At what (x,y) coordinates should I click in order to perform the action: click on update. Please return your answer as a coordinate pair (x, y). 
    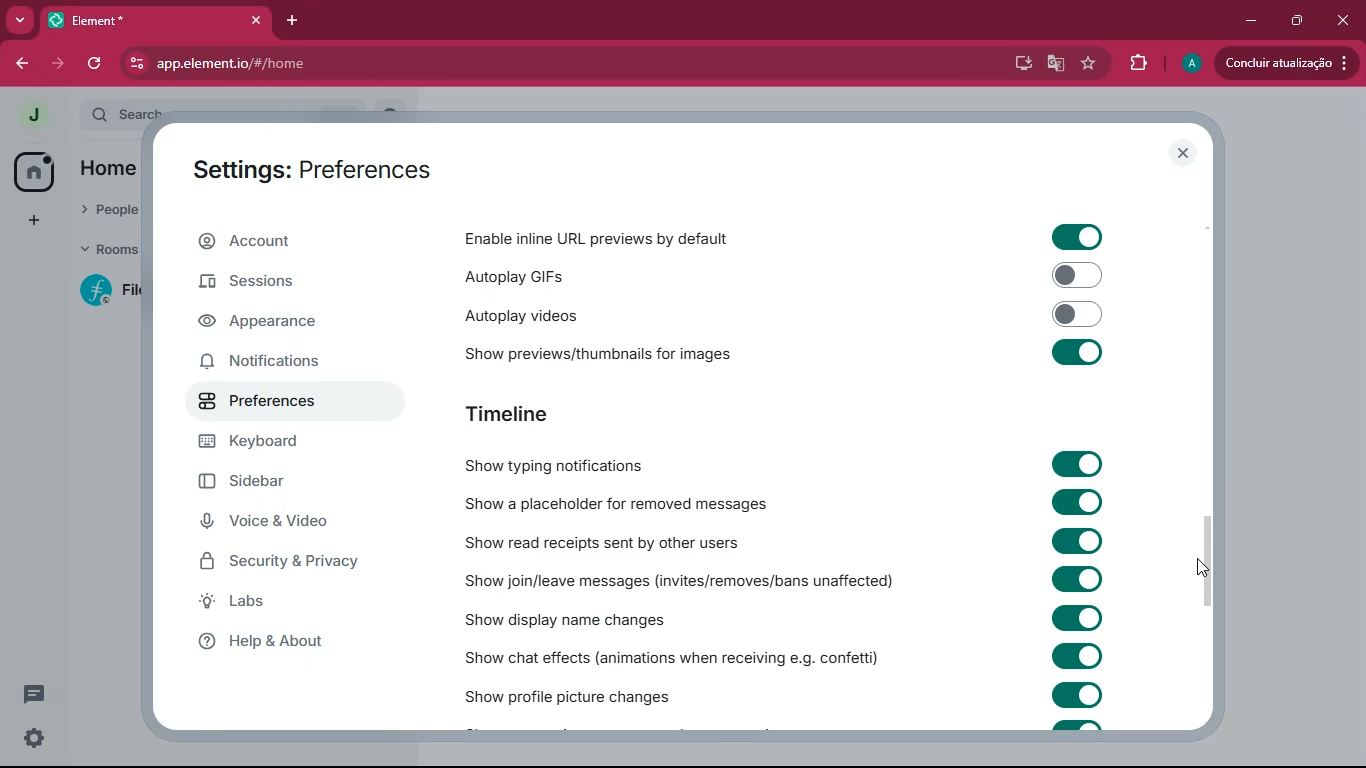
    Looking at the image, I should click on (1287, 63).